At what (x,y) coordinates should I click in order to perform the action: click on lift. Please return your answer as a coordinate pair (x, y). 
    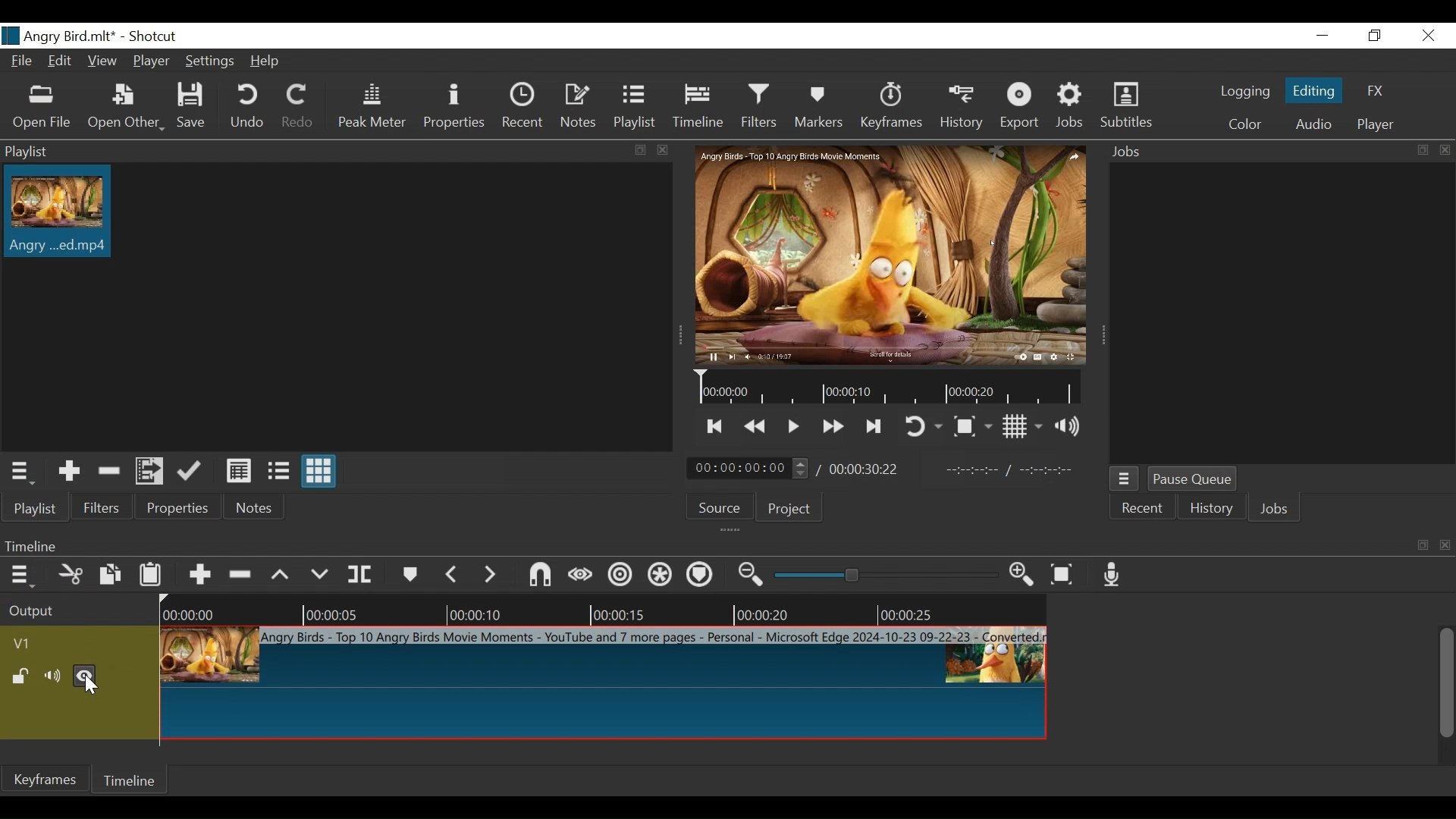
    Looking at the image, I should click on (281, 576).